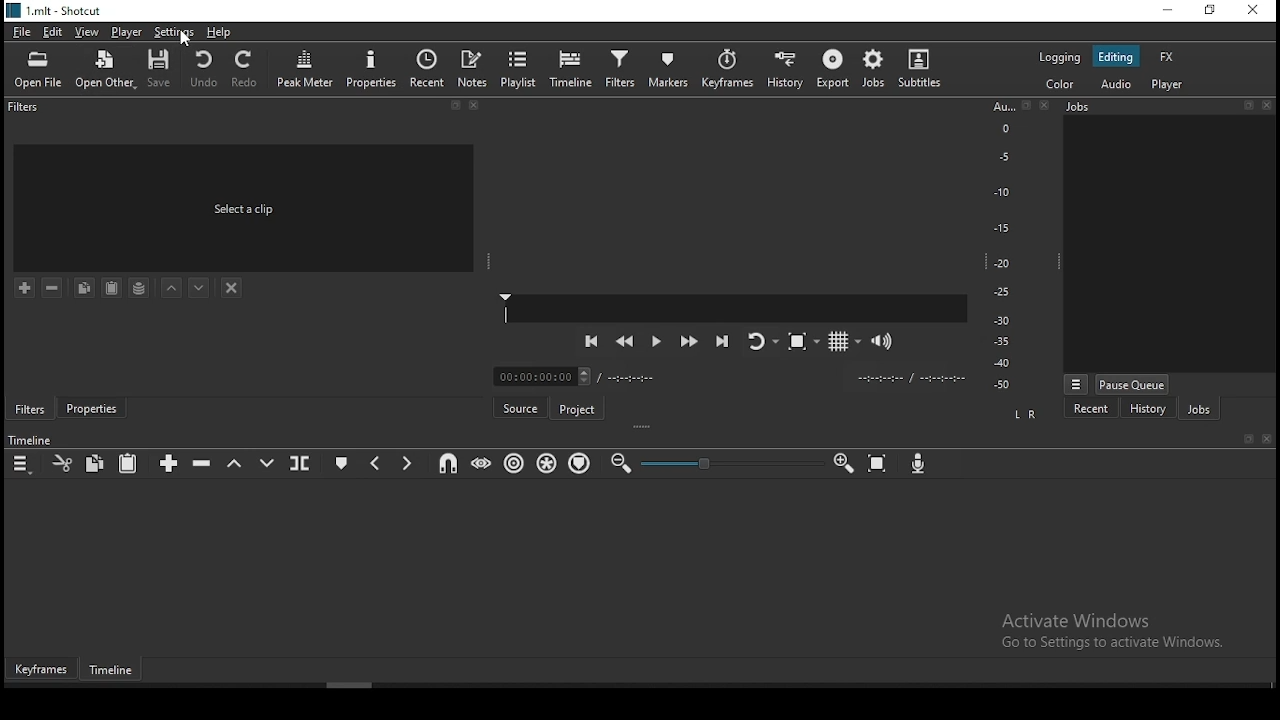 The height and width of the screenshot is (720, 1280). I want to click on edit, so click(55, 33).